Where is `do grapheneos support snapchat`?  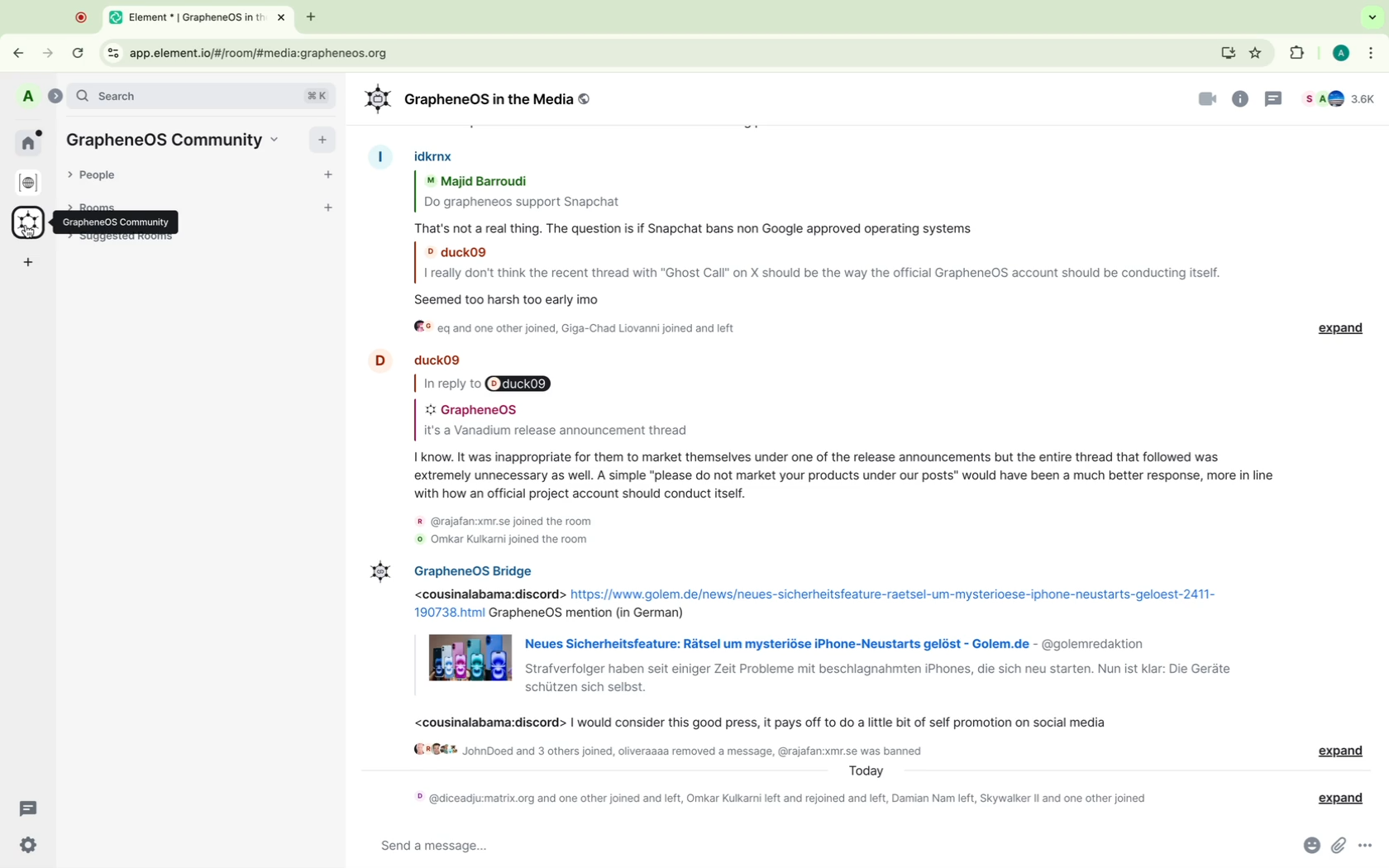 do grapheneos support snapchat is located at coordinates (526, 204).